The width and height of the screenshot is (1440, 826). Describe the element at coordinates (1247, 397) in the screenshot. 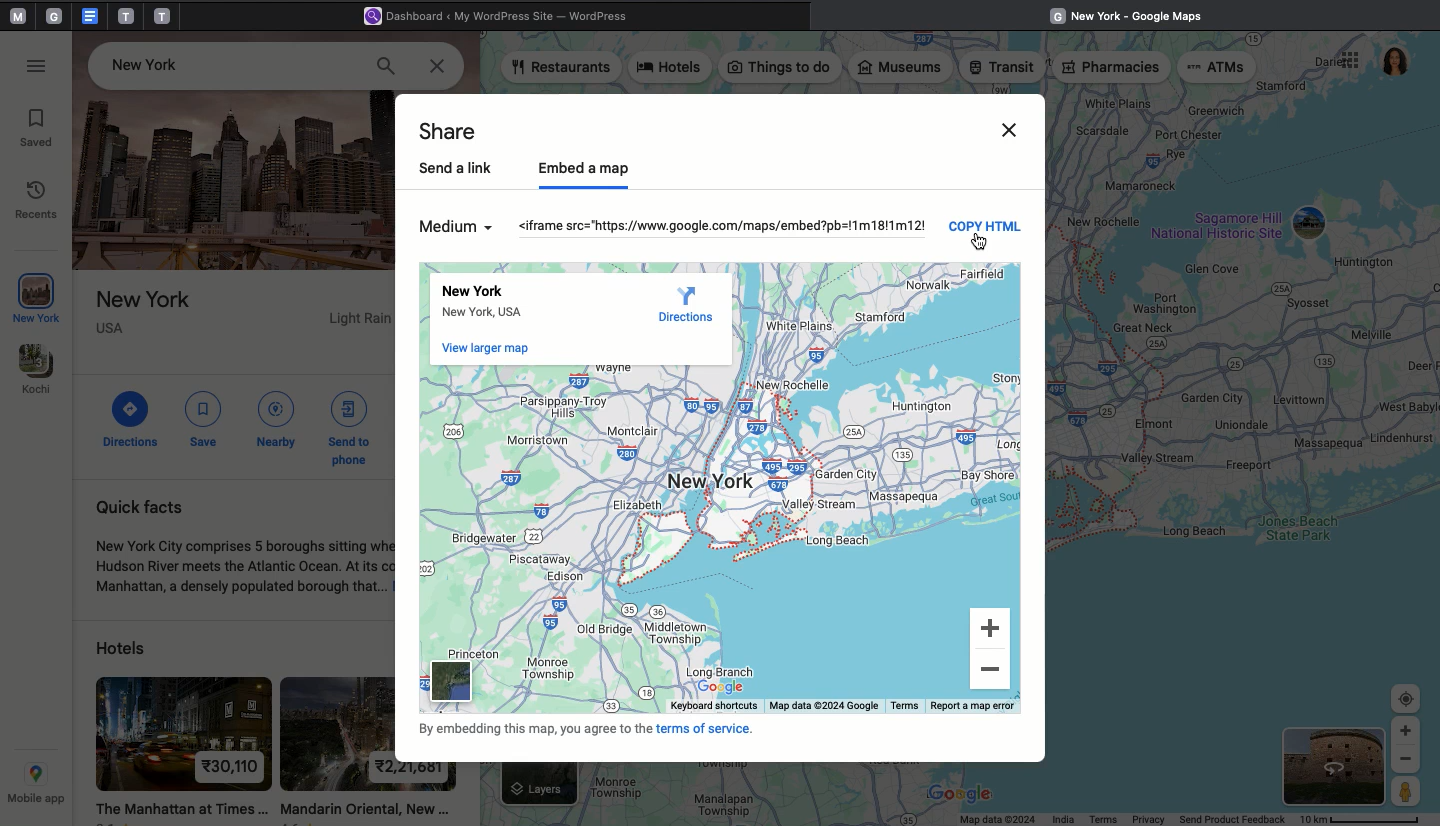

I see `Map` at that location.